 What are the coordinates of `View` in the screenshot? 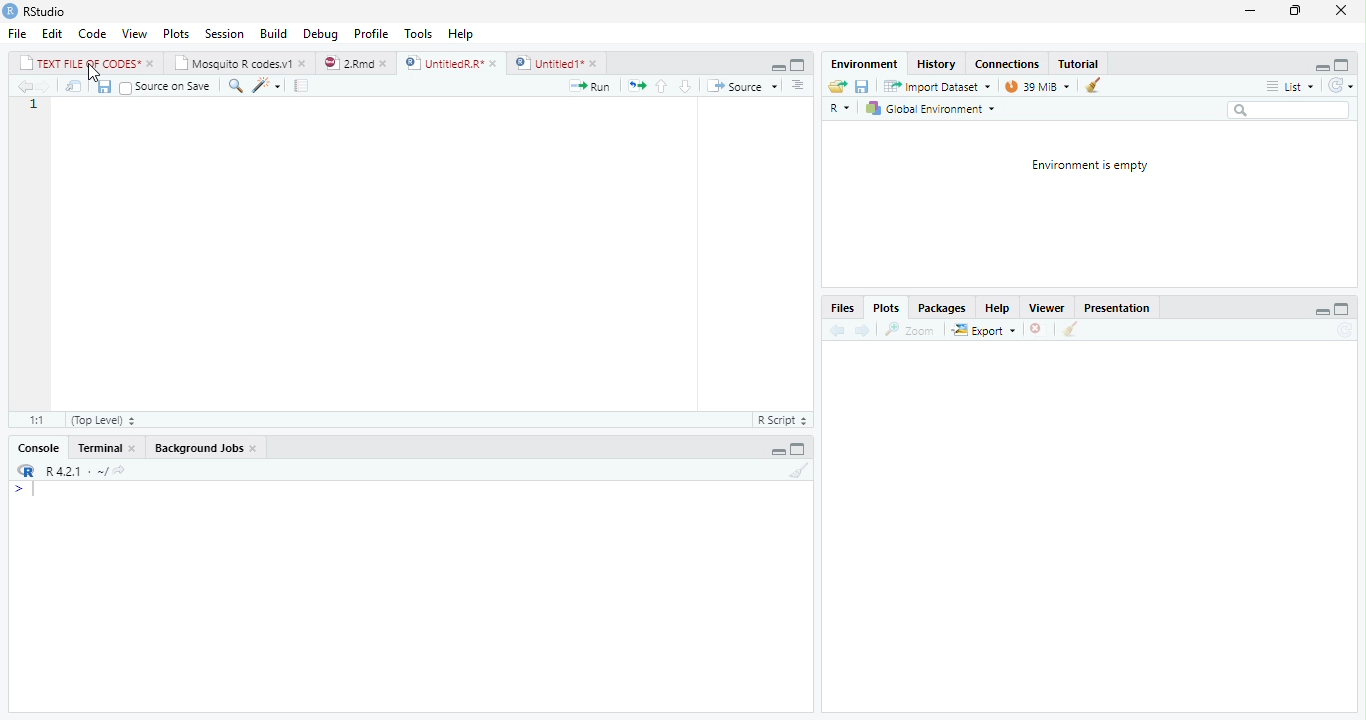 It's located at (134, 34).